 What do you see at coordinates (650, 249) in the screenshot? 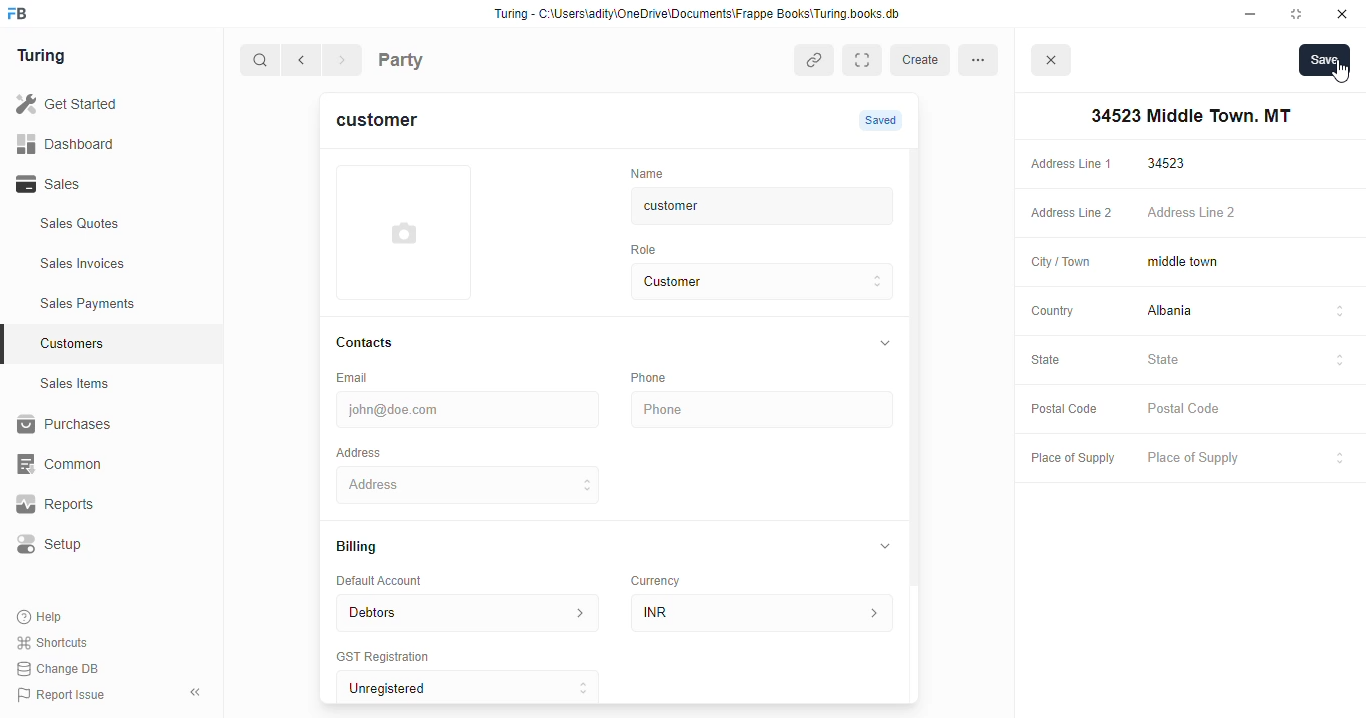
I see `Role` at bounding box center [650, 249].